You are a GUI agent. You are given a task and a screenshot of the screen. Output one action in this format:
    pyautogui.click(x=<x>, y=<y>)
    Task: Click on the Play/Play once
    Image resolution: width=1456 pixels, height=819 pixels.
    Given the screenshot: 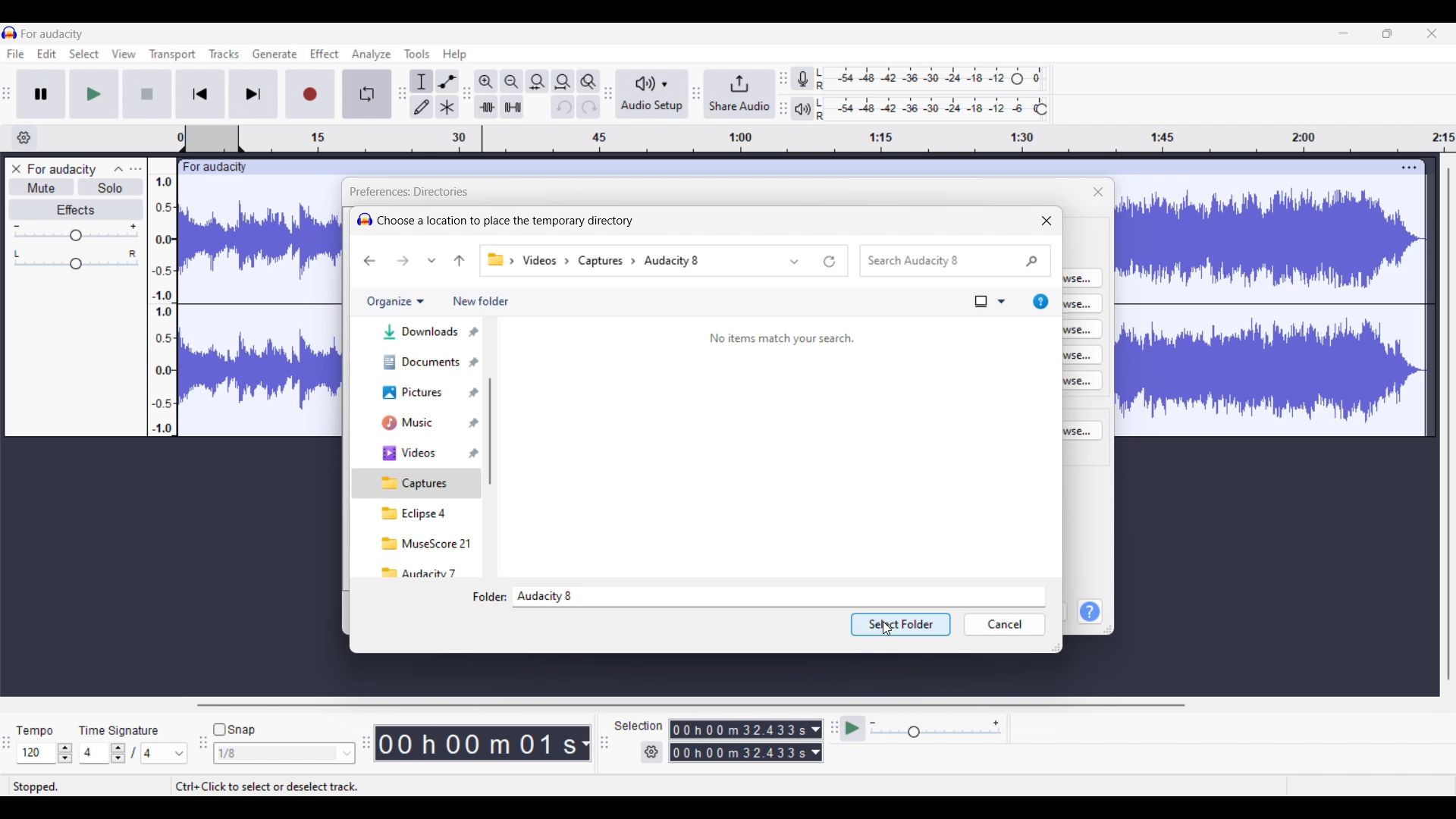 What is the action you would take?
    pyautogui.click(x=95, y=94)
    